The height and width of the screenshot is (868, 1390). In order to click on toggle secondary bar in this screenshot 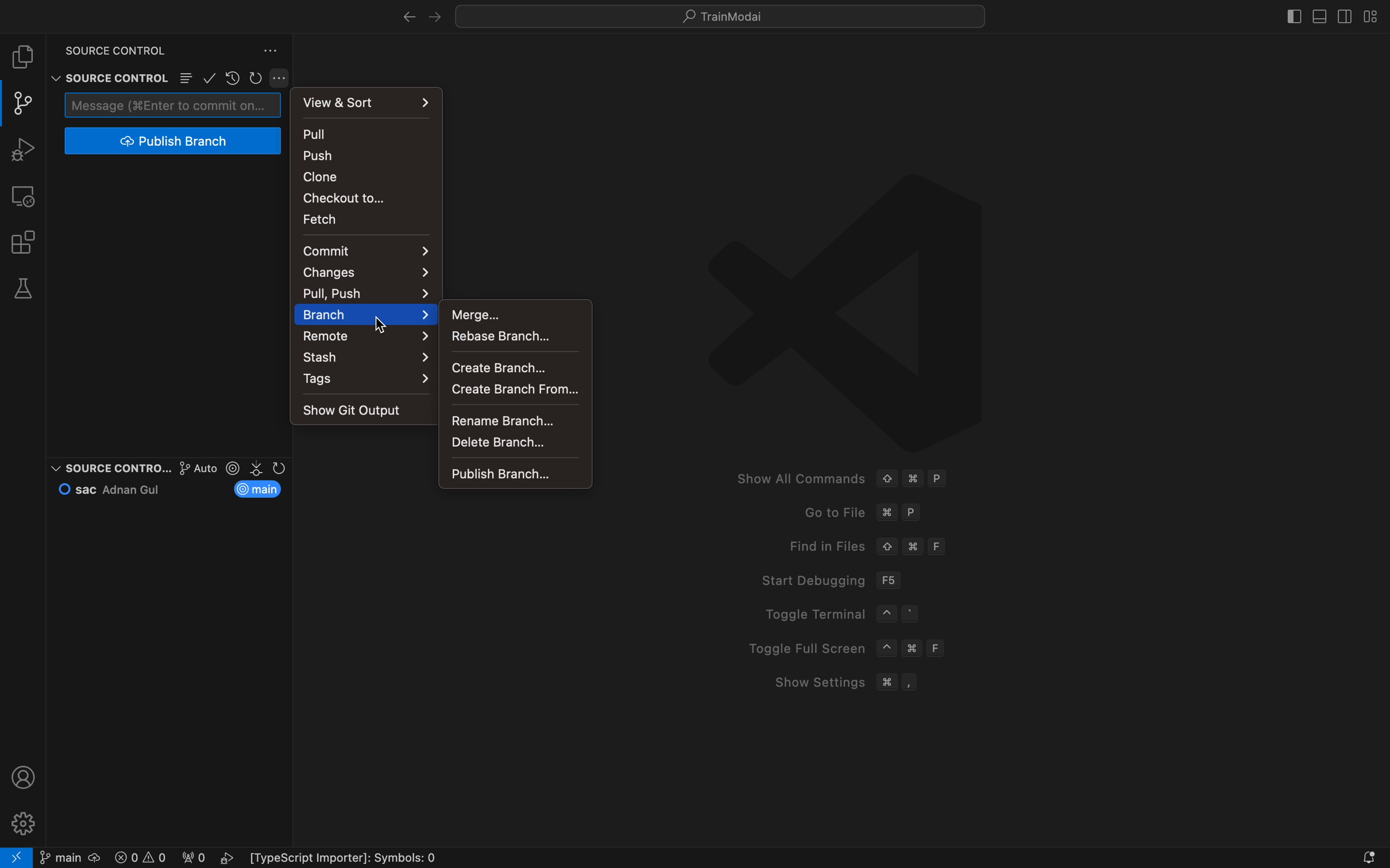, I will do `click(1343, 15)`.